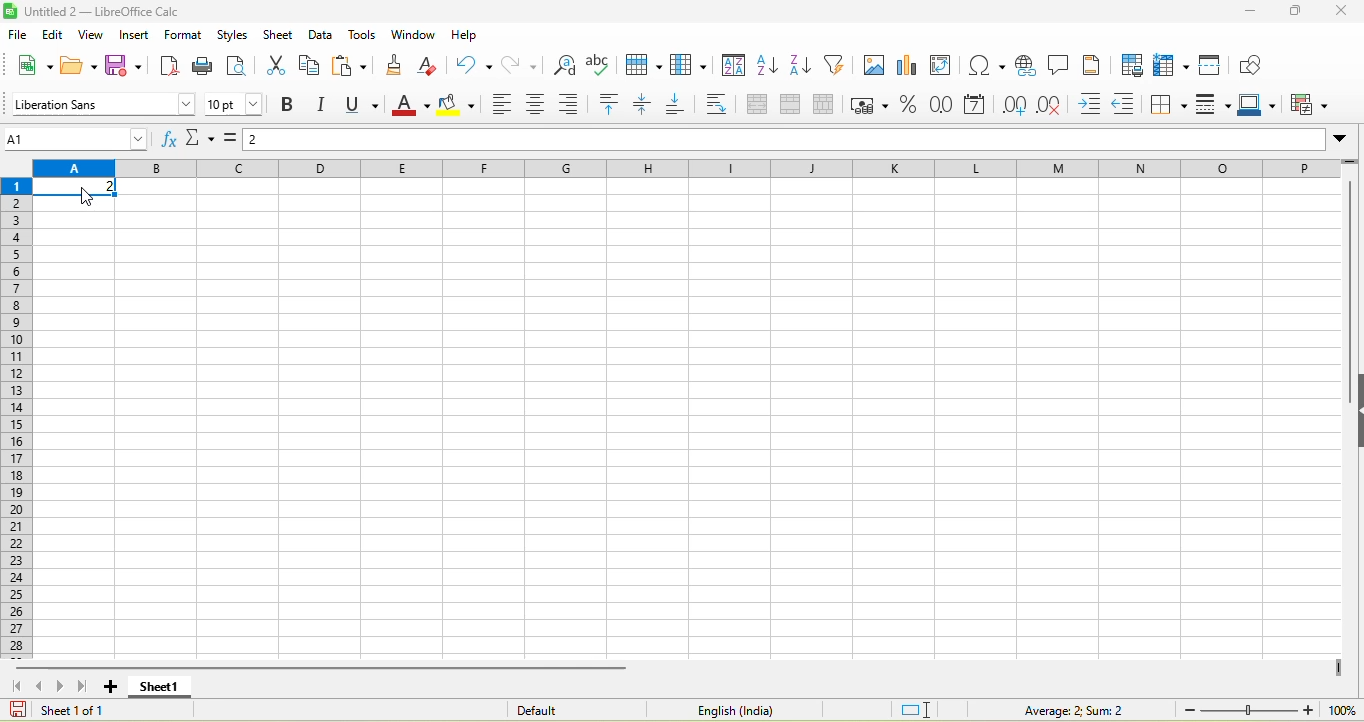 The image size is (1364, 722). Describe the element at coordinates (202, 140) in the screenshot. I see `select function` at that location.